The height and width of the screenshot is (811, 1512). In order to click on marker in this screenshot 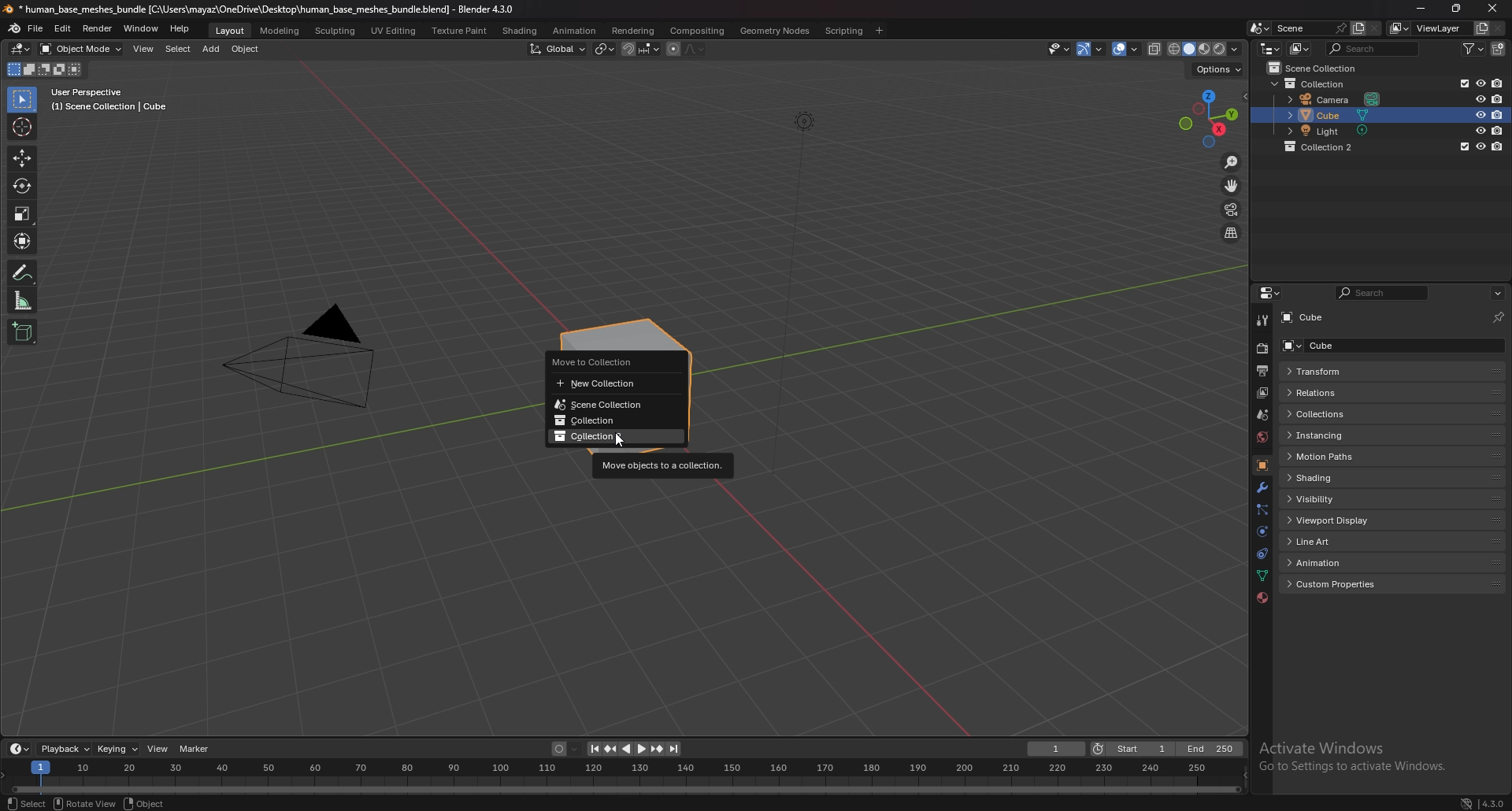, I will do `click(196, 749)`.